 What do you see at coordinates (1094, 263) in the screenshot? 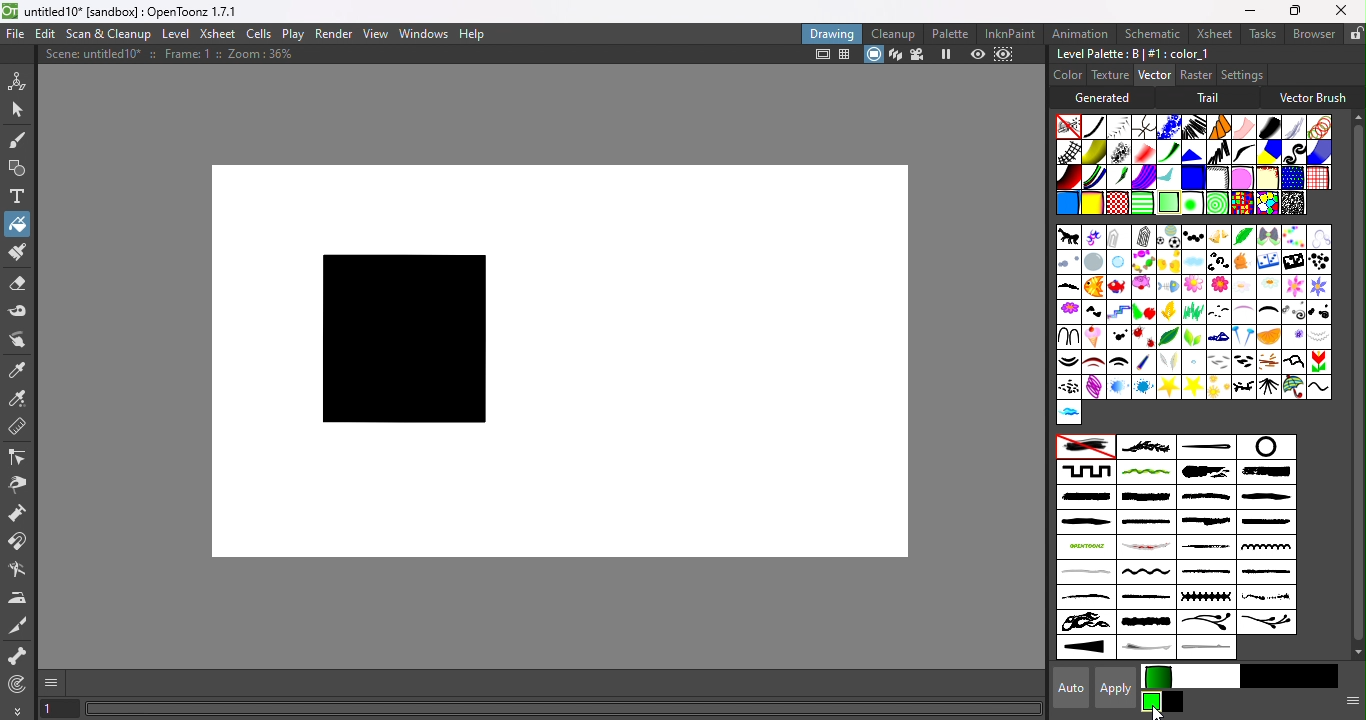
I see `Bubb2` at bounding box center [1094, 263].